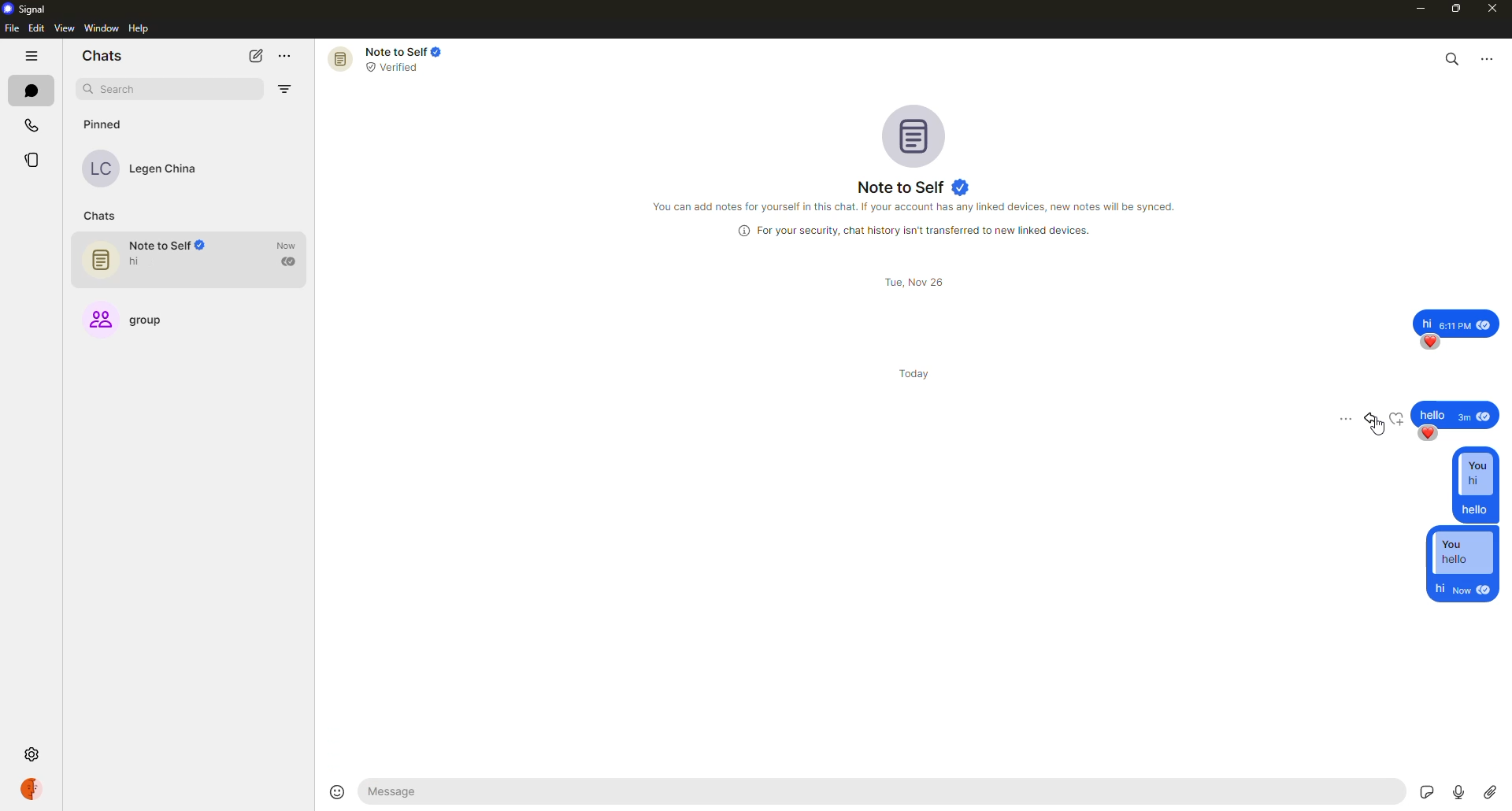 Image resolution: width=1512 pixels, height=811 pixels. What do you see at coordinates (1465, 563) in the screenshot?
I see `reply` at bounding box center [1465, 563].